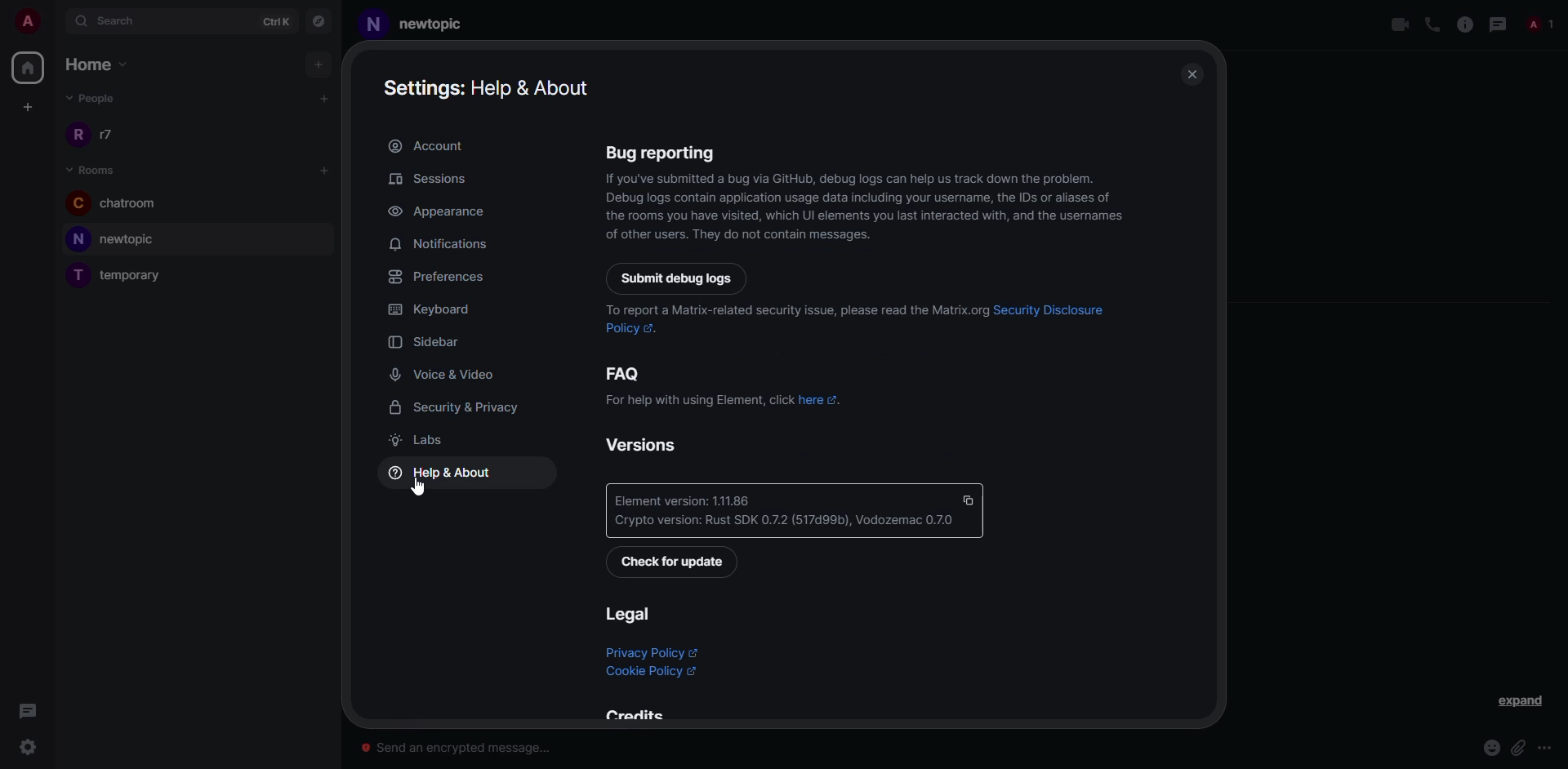 This screenshot has height=769, width=1568. Describe the element at coordinates (121, 240) in the screenshot. I see `room` at that location.